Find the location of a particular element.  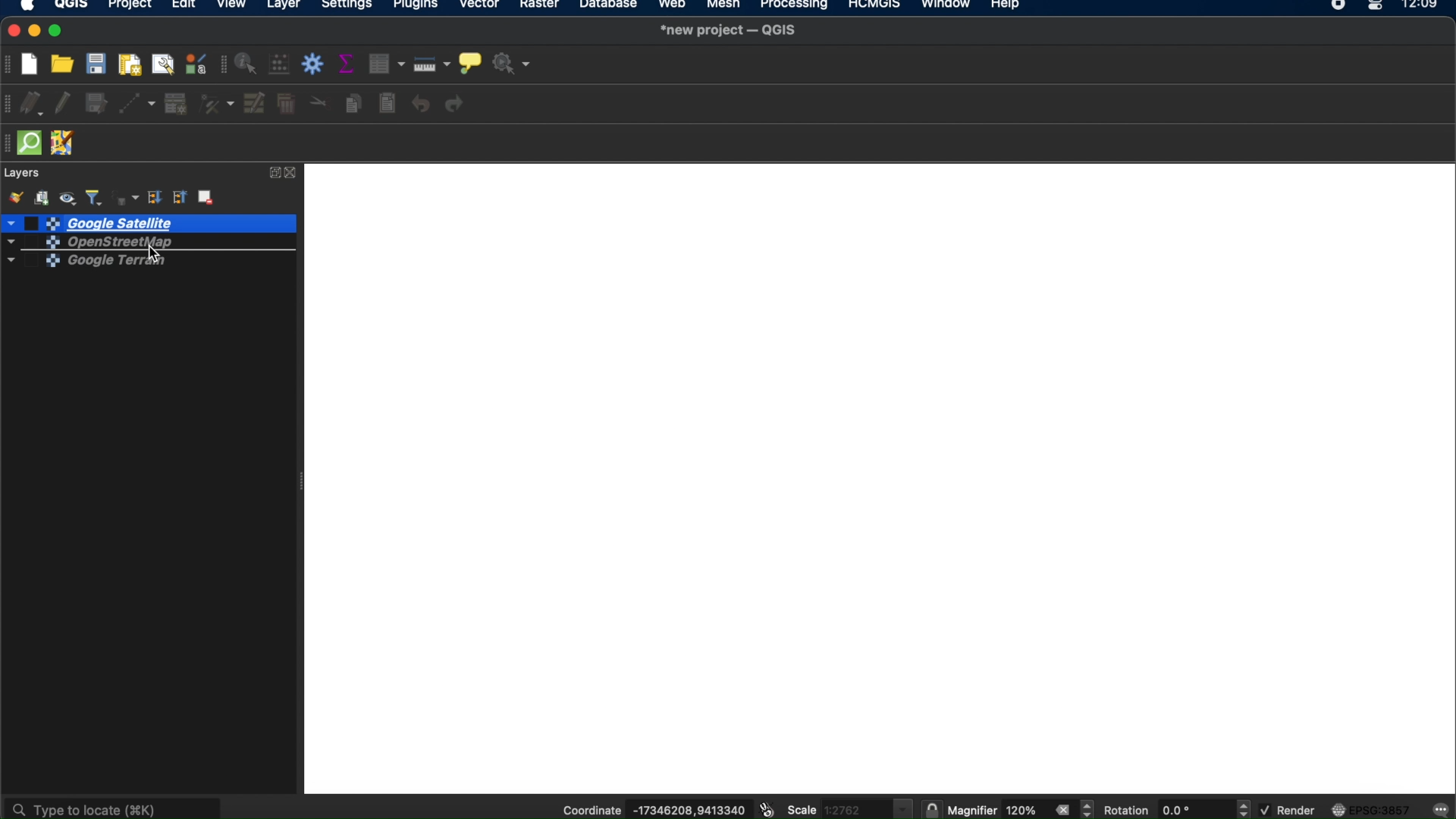

close is located at coordinates (294, 173).